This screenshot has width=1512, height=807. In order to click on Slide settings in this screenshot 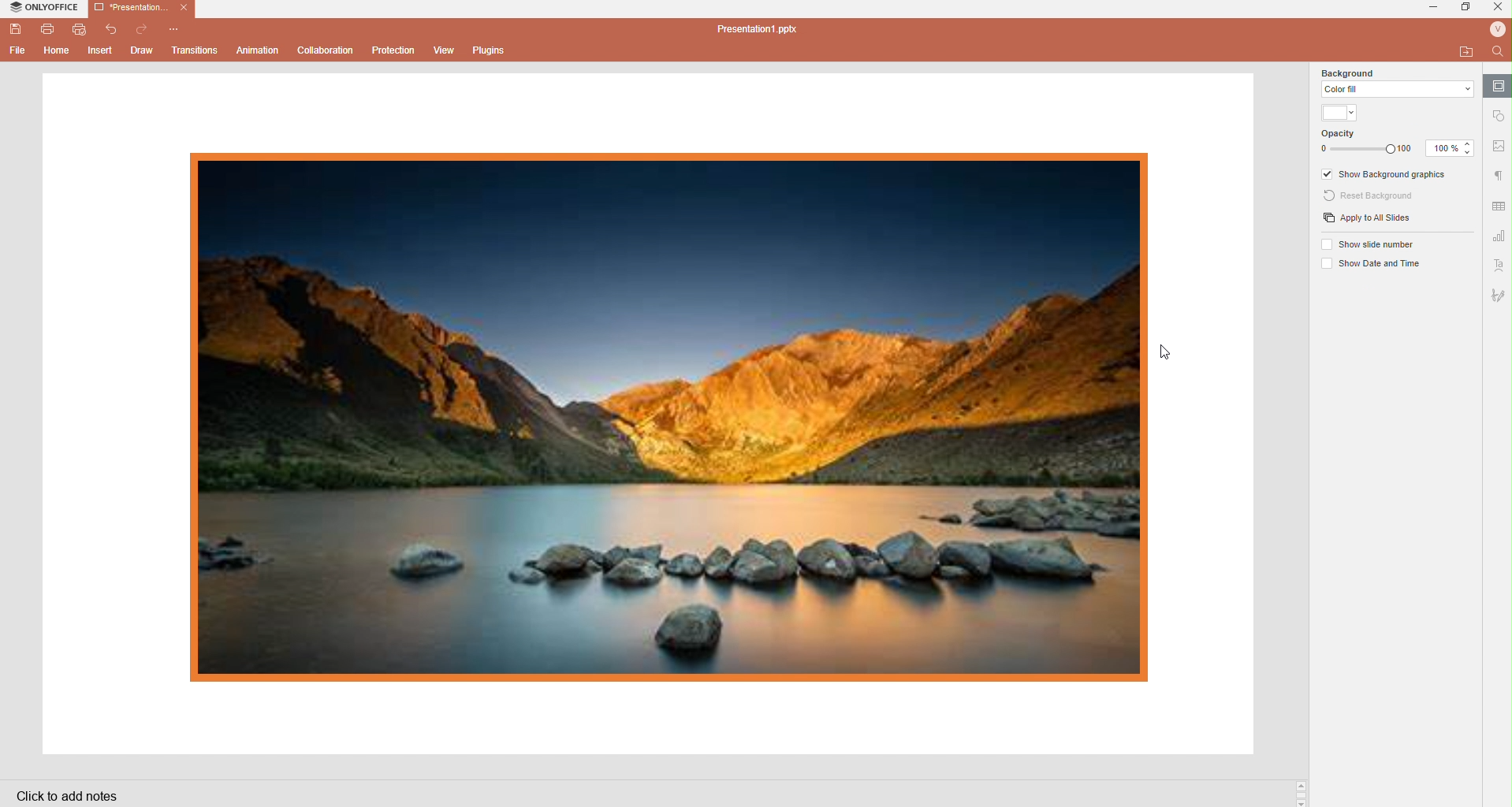, I will do `click(1499, 86)`.